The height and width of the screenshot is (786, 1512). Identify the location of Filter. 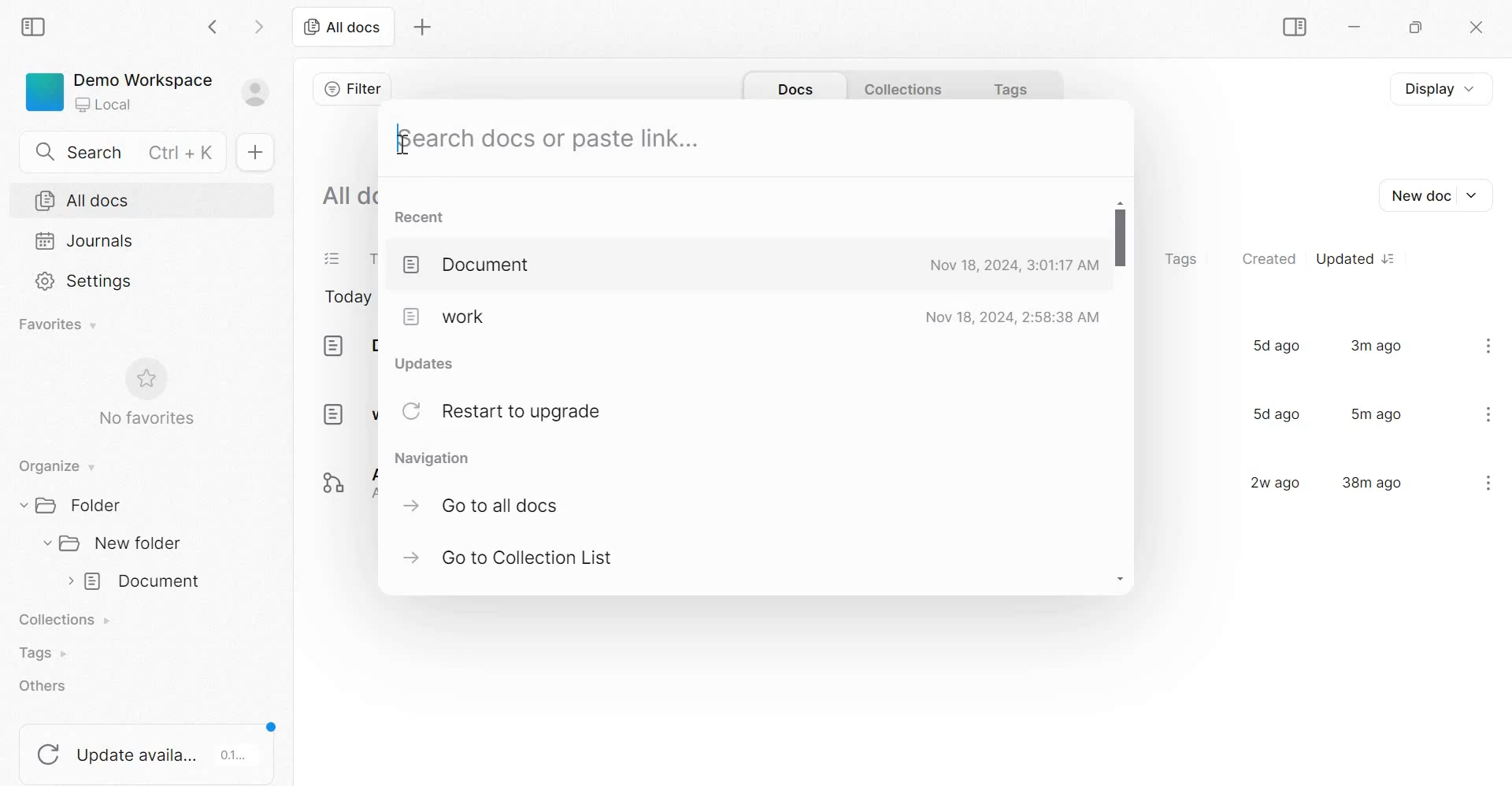
(352, 88).